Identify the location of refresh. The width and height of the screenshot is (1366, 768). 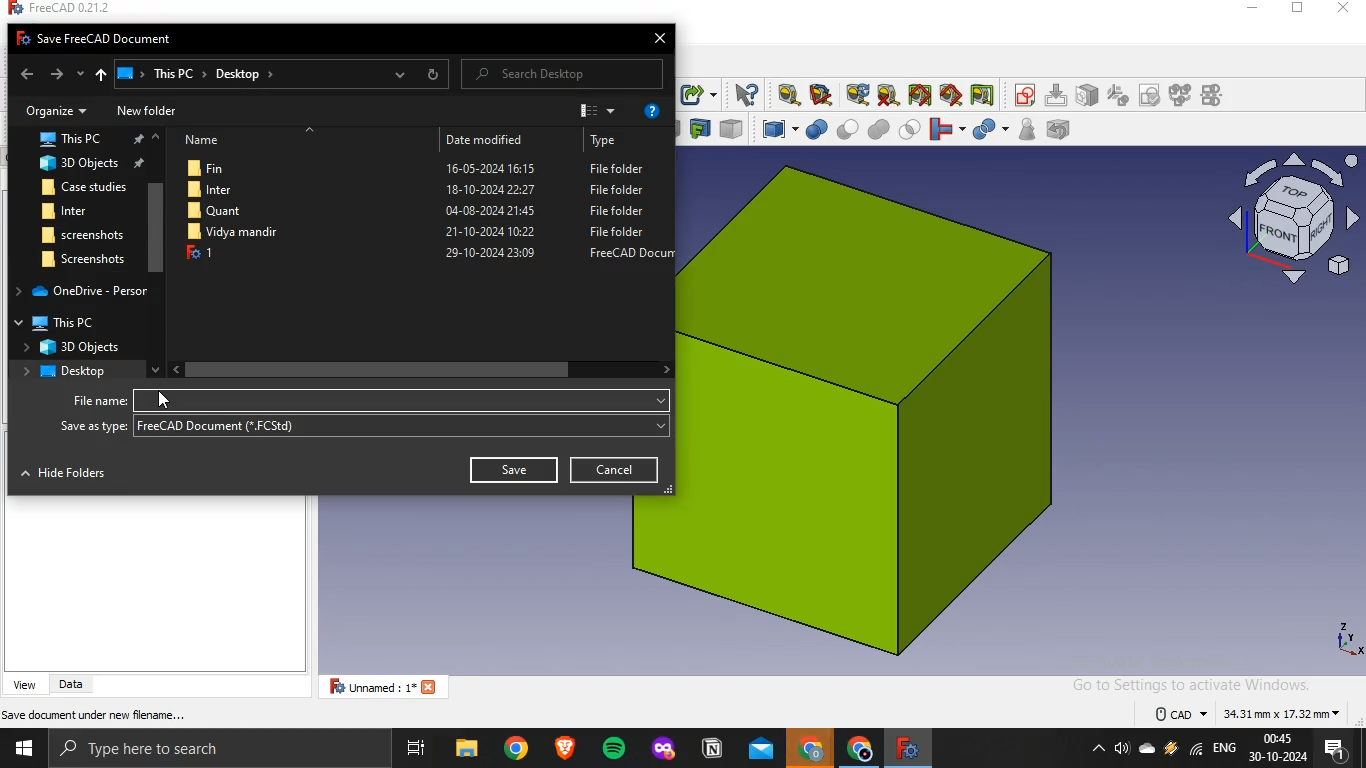
(432, 75).